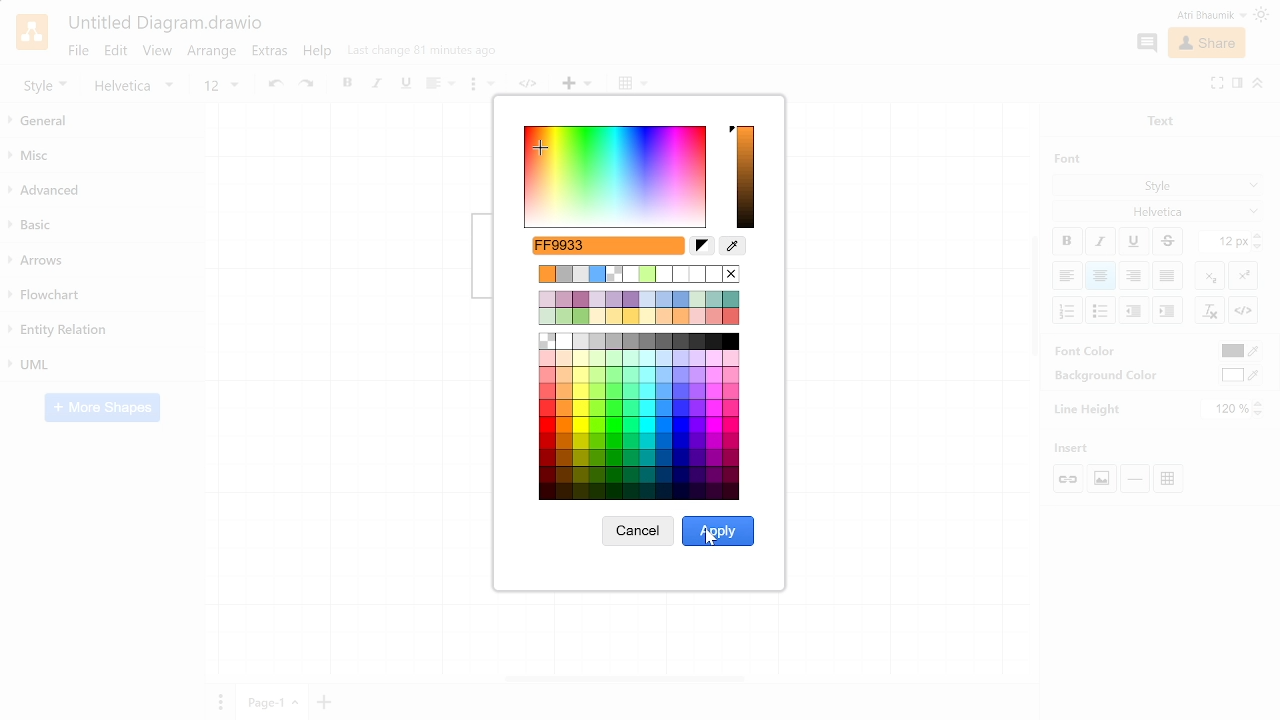  Describe the element at coordinates (220, 86) in the screenshot. I see `font size` at that location.